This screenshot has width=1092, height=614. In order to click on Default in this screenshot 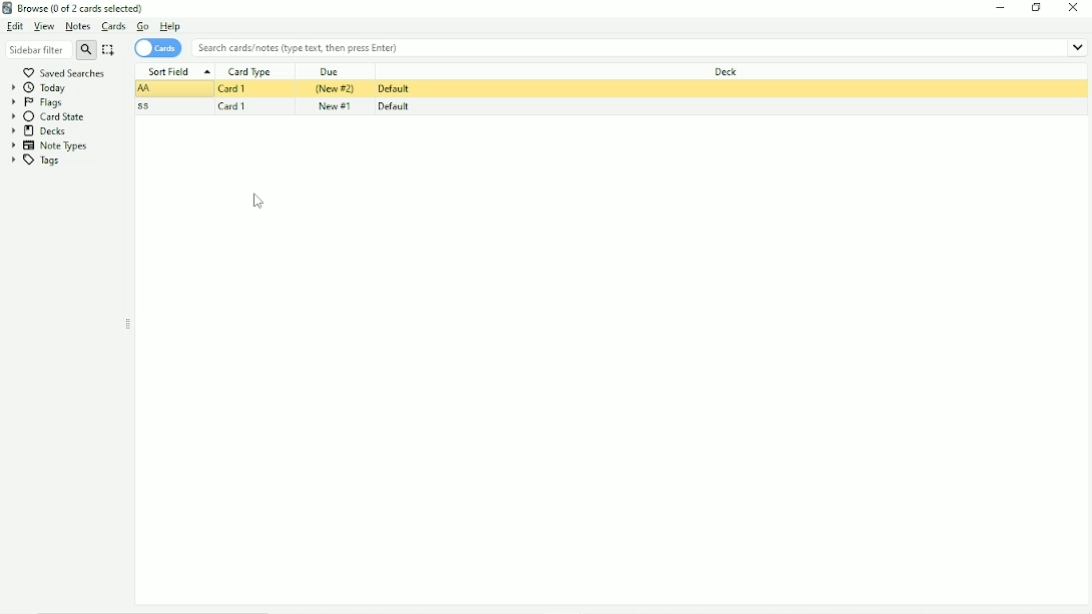, I will do `click(397, 106)`.